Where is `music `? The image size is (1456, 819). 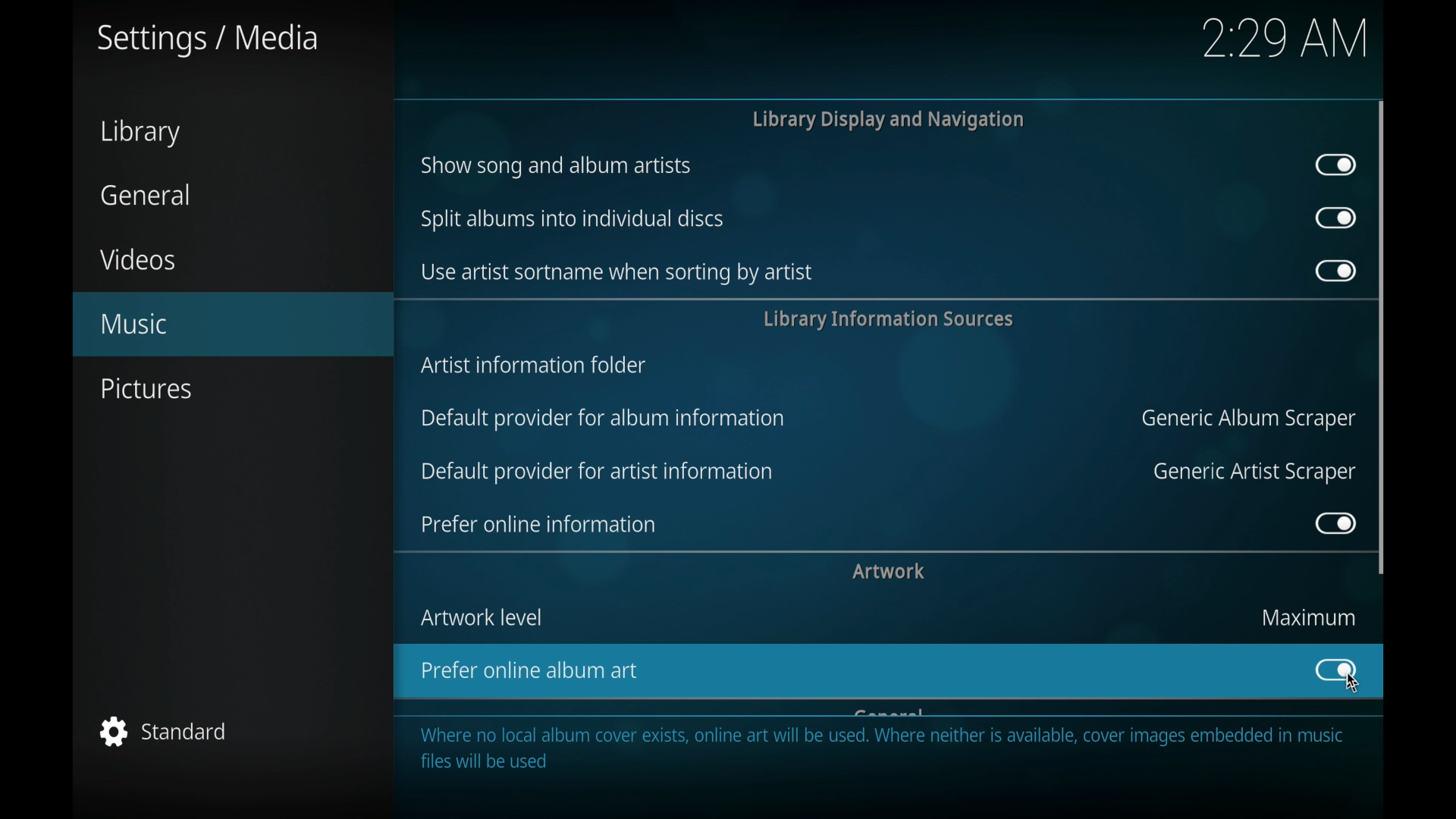
music  is located at coordinates (232, 325).